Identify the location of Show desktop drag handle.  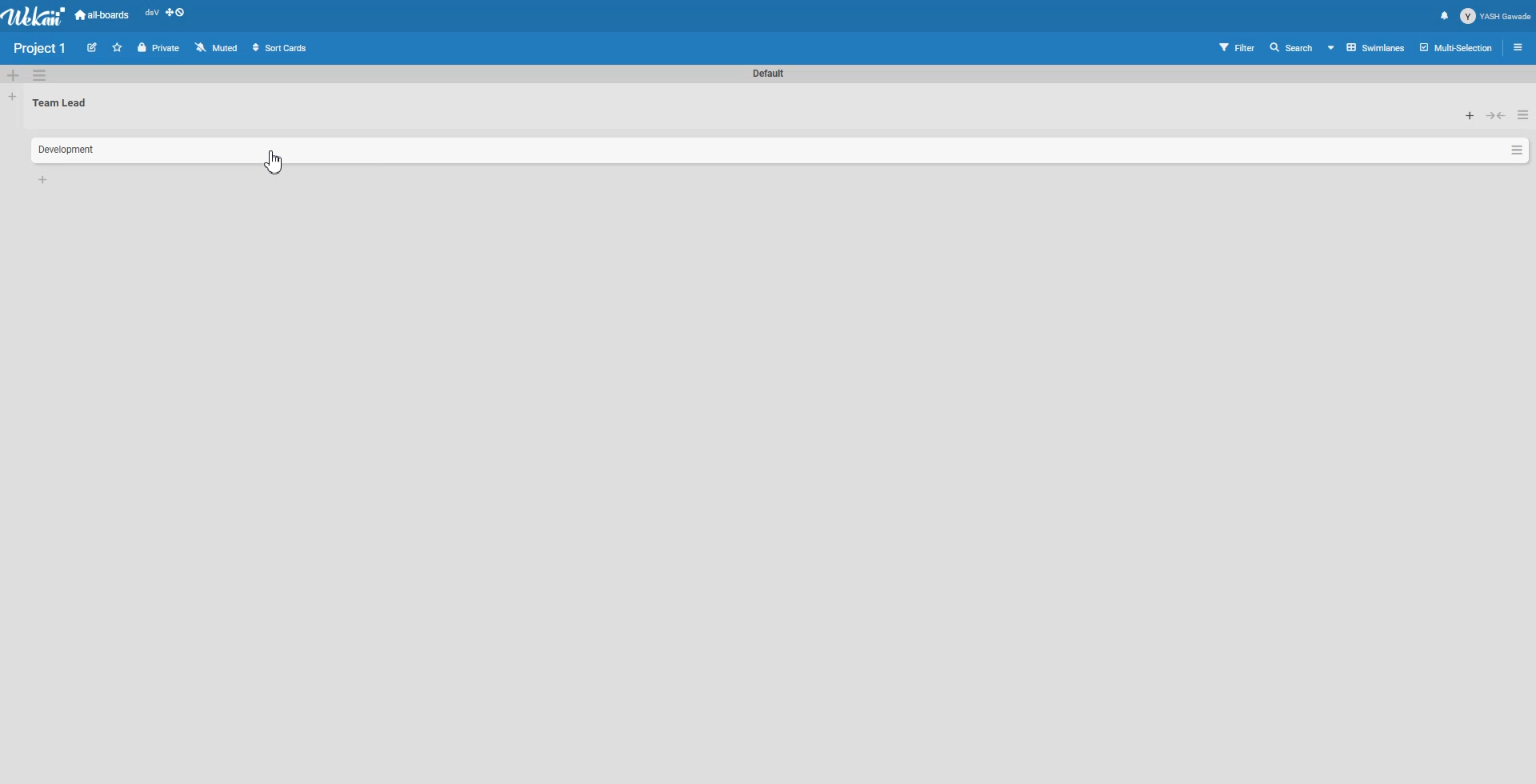
(177, 15).